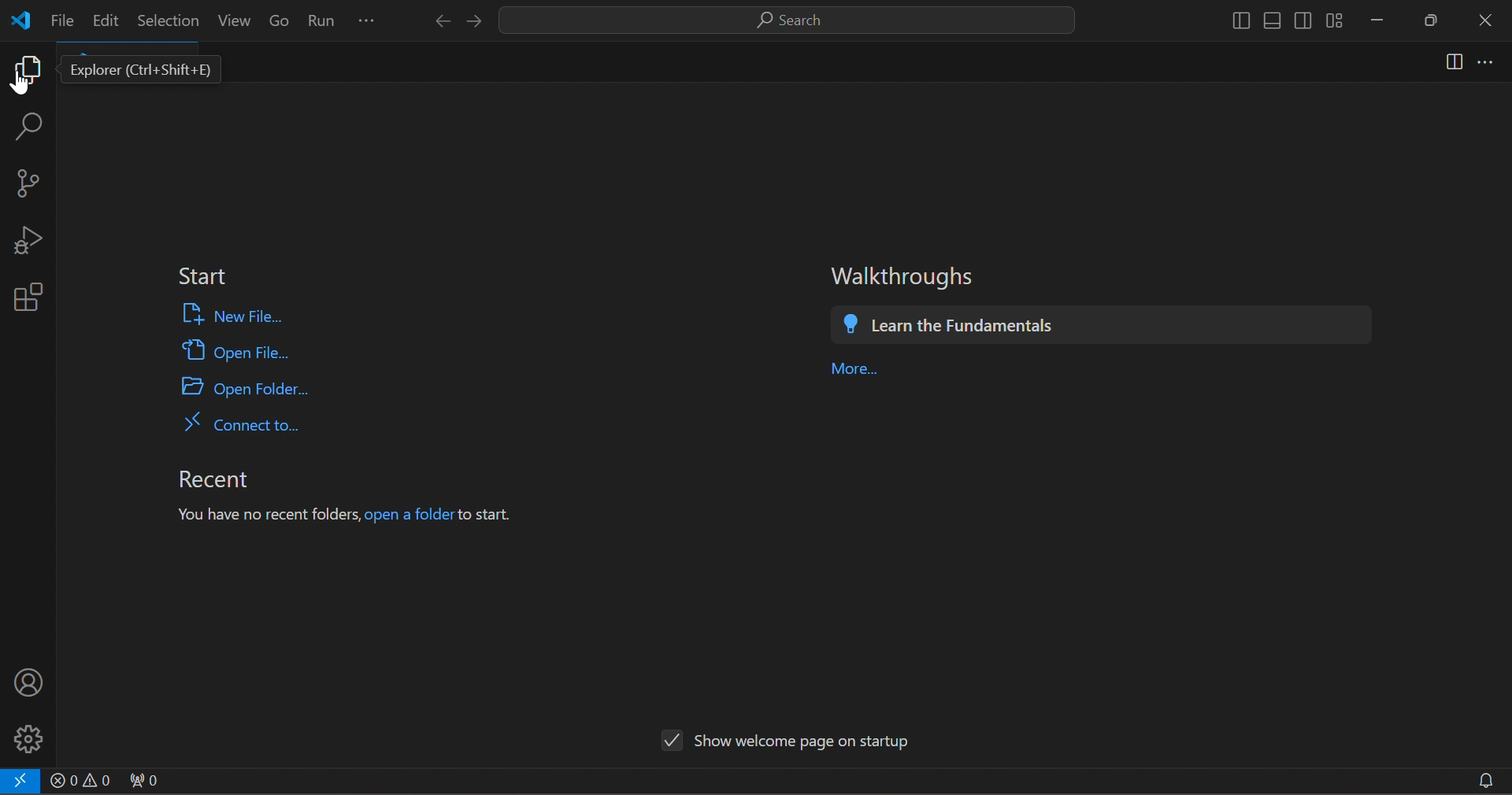 This screenshot has height=795, width=1512. I want to click on edit, so click(106, 24).